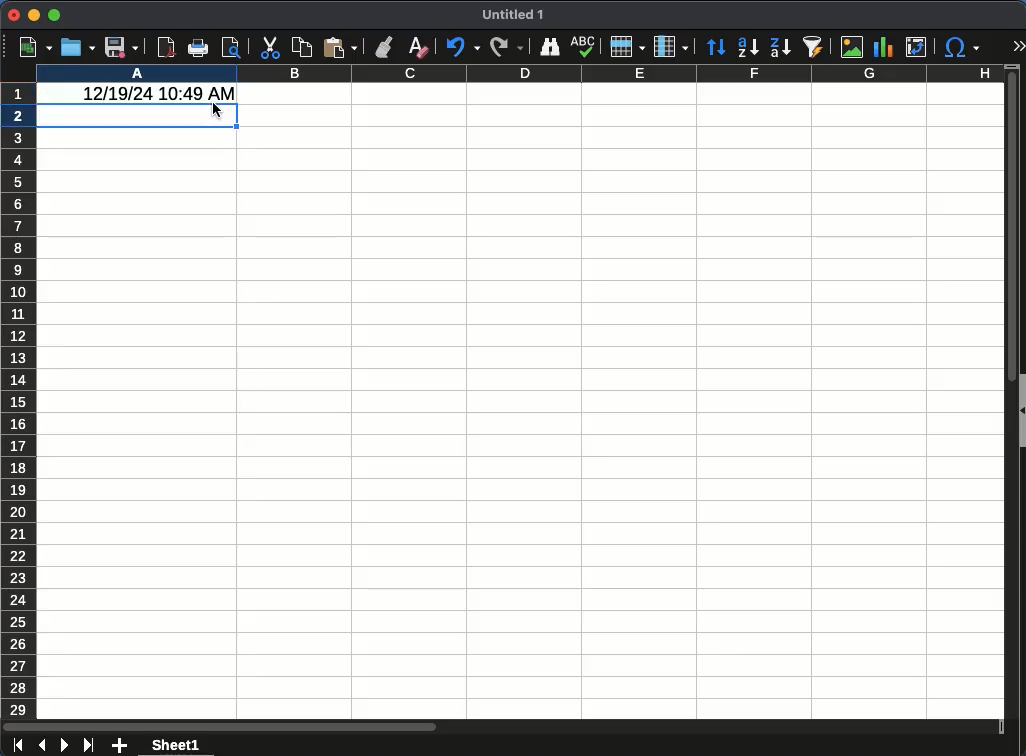 The image size is (1026, 756). What do you see at coordinates (508, 47) in the screenshot?
I see `redo` at bounding box center [508, 47].